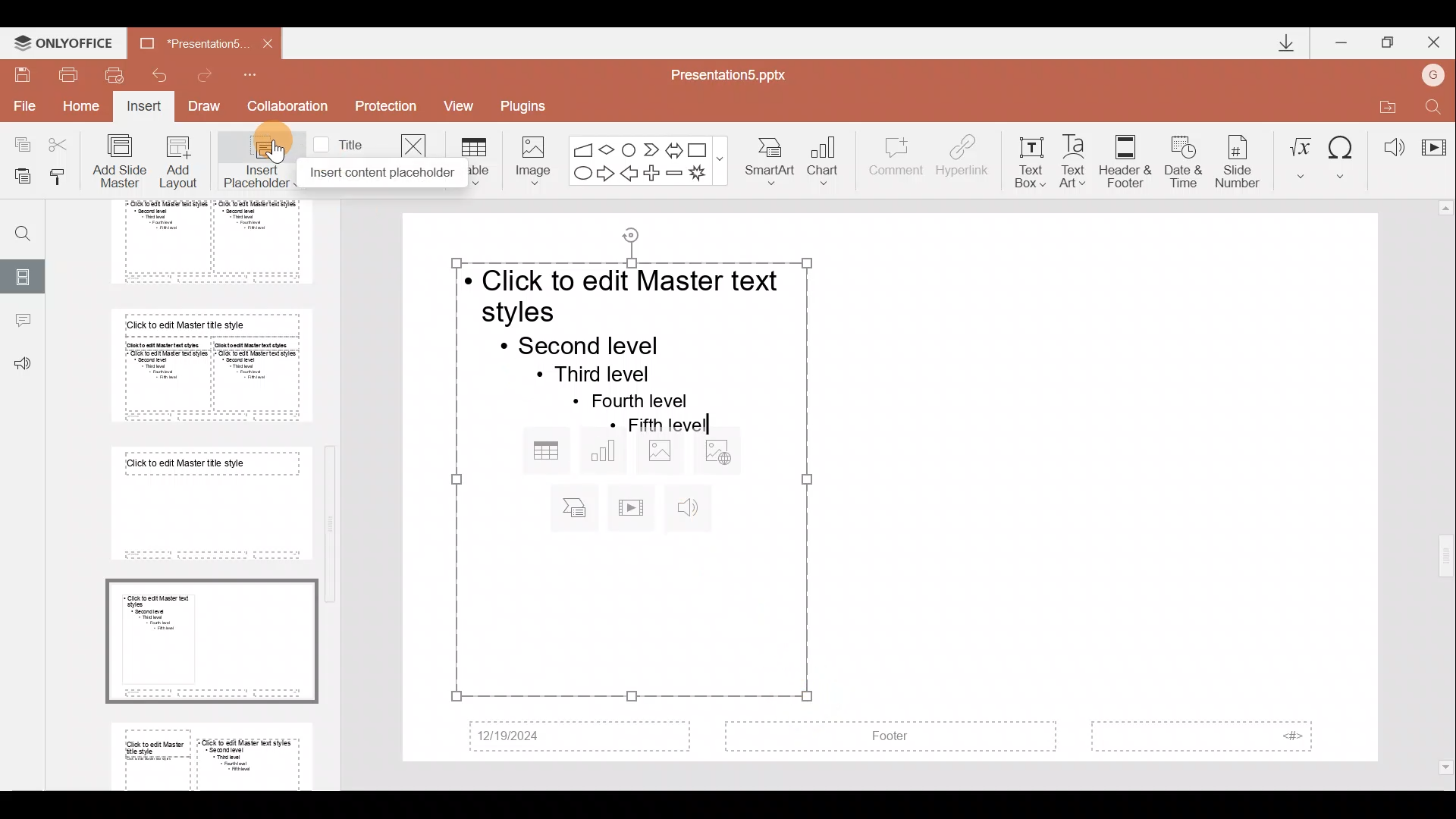 This screenshot has width=1456, height=819. Describe the element at coordinates (1077, 157) in the screenshot. I see `Text Art` at that location.